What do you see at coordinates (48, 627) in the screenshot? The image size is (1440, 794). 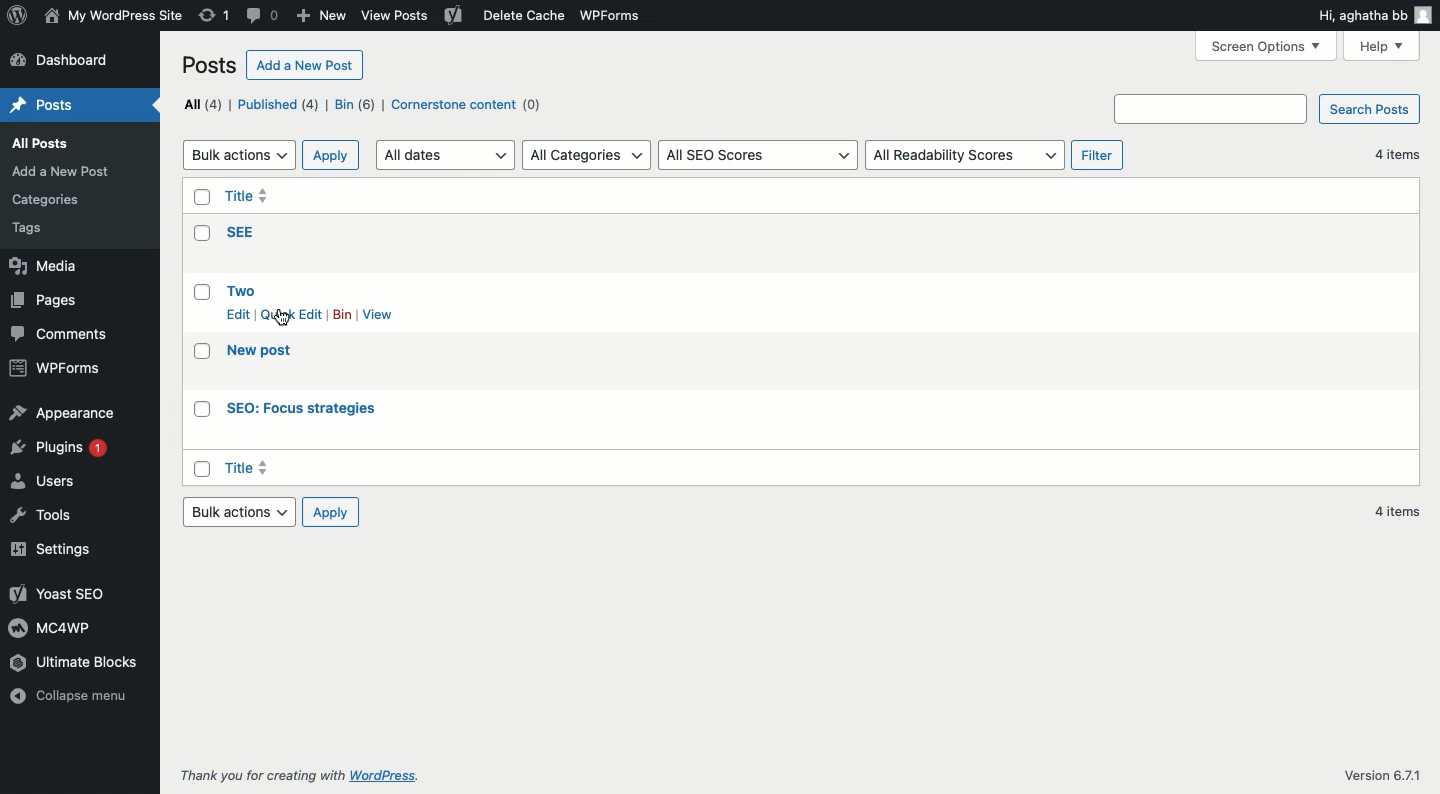 I see `MC4WP` at bounding box center [48, 627].